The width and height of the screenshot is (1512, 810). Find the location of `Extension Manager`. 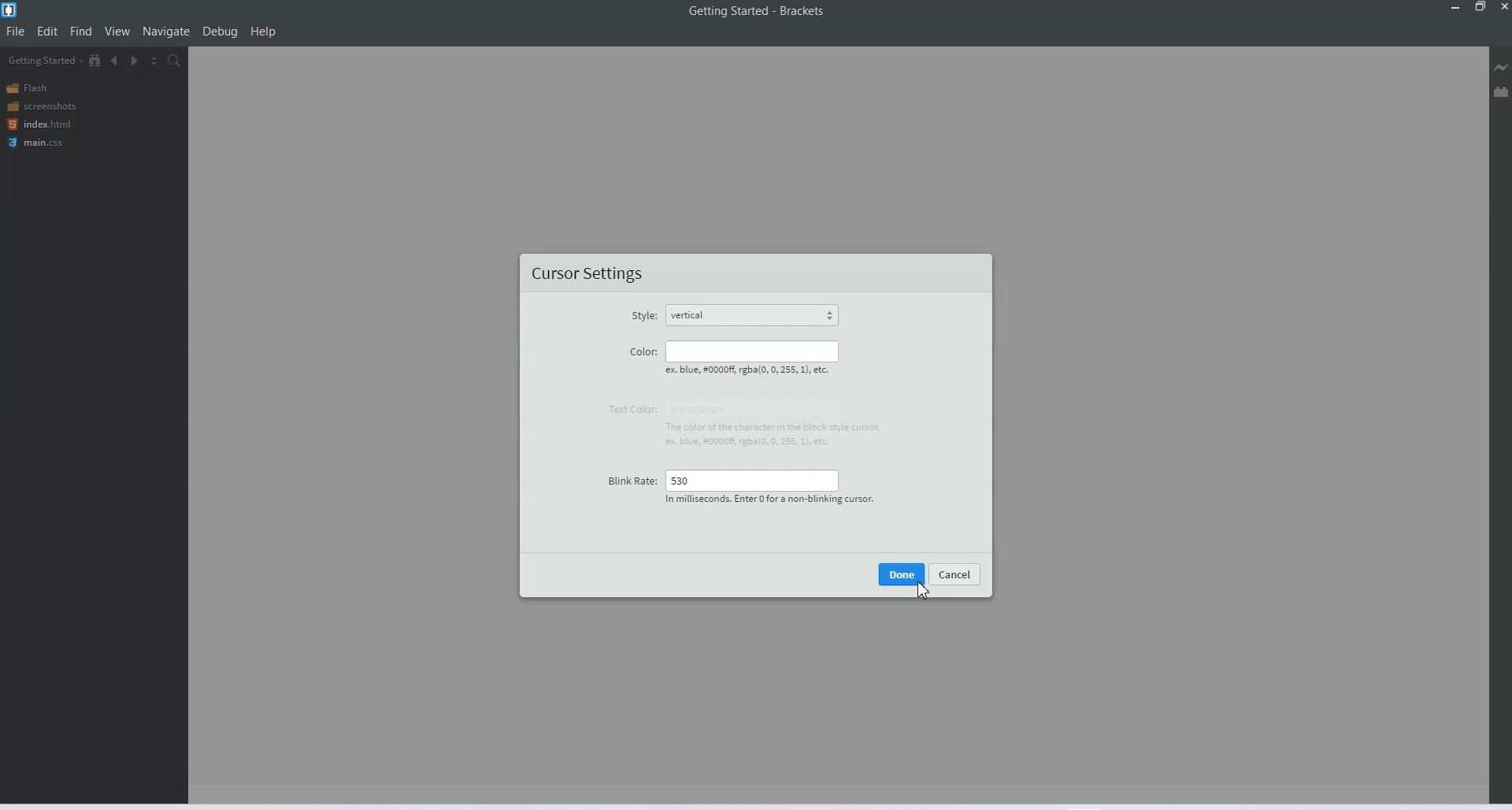

Extension Manager is located at coordinates (1502, 91).